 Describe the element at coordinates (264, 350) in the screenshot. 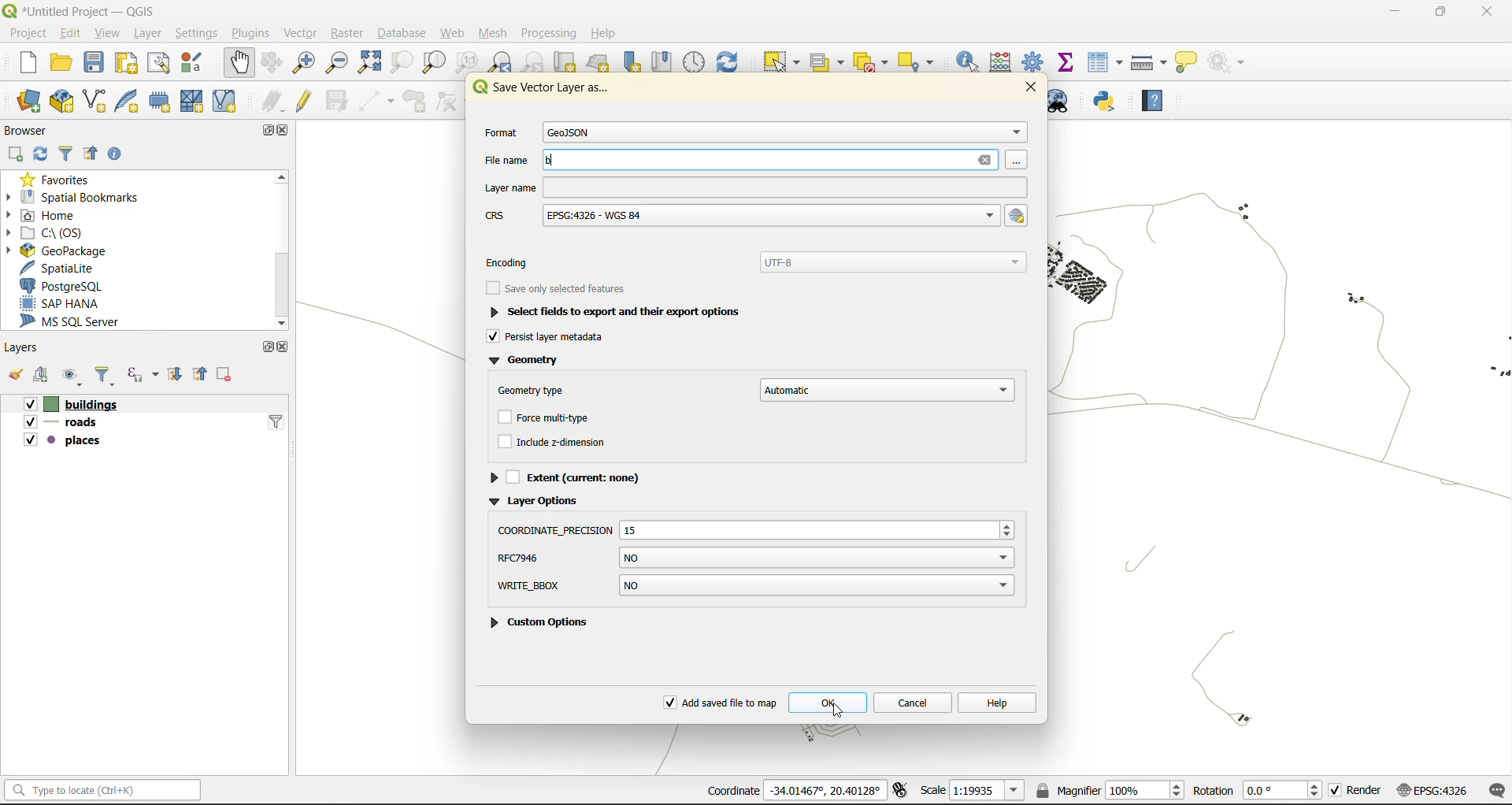

I see `maximize` at that location.